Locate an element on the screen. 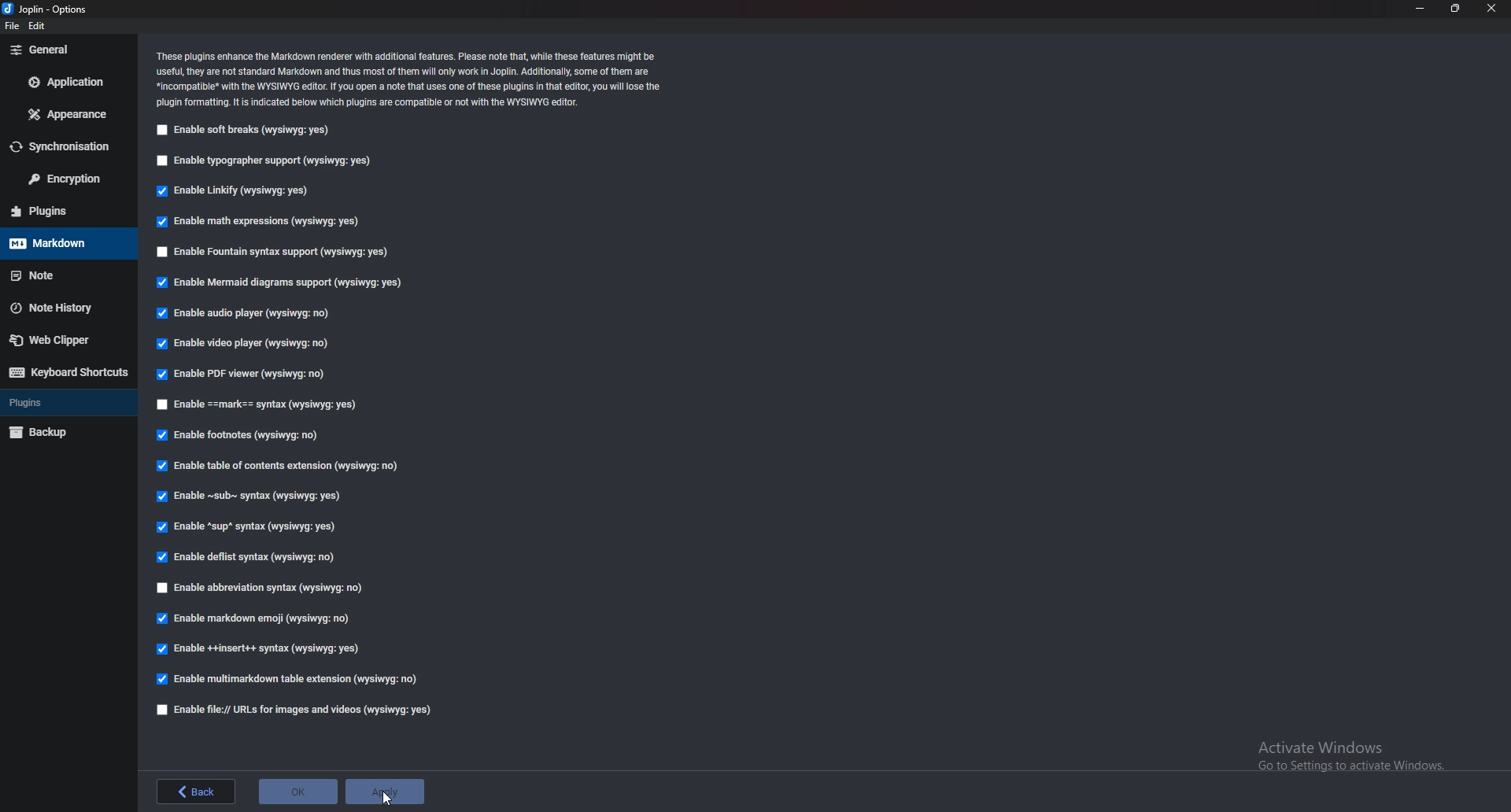  Enable sup syntax is located at coordinates (244, 529).